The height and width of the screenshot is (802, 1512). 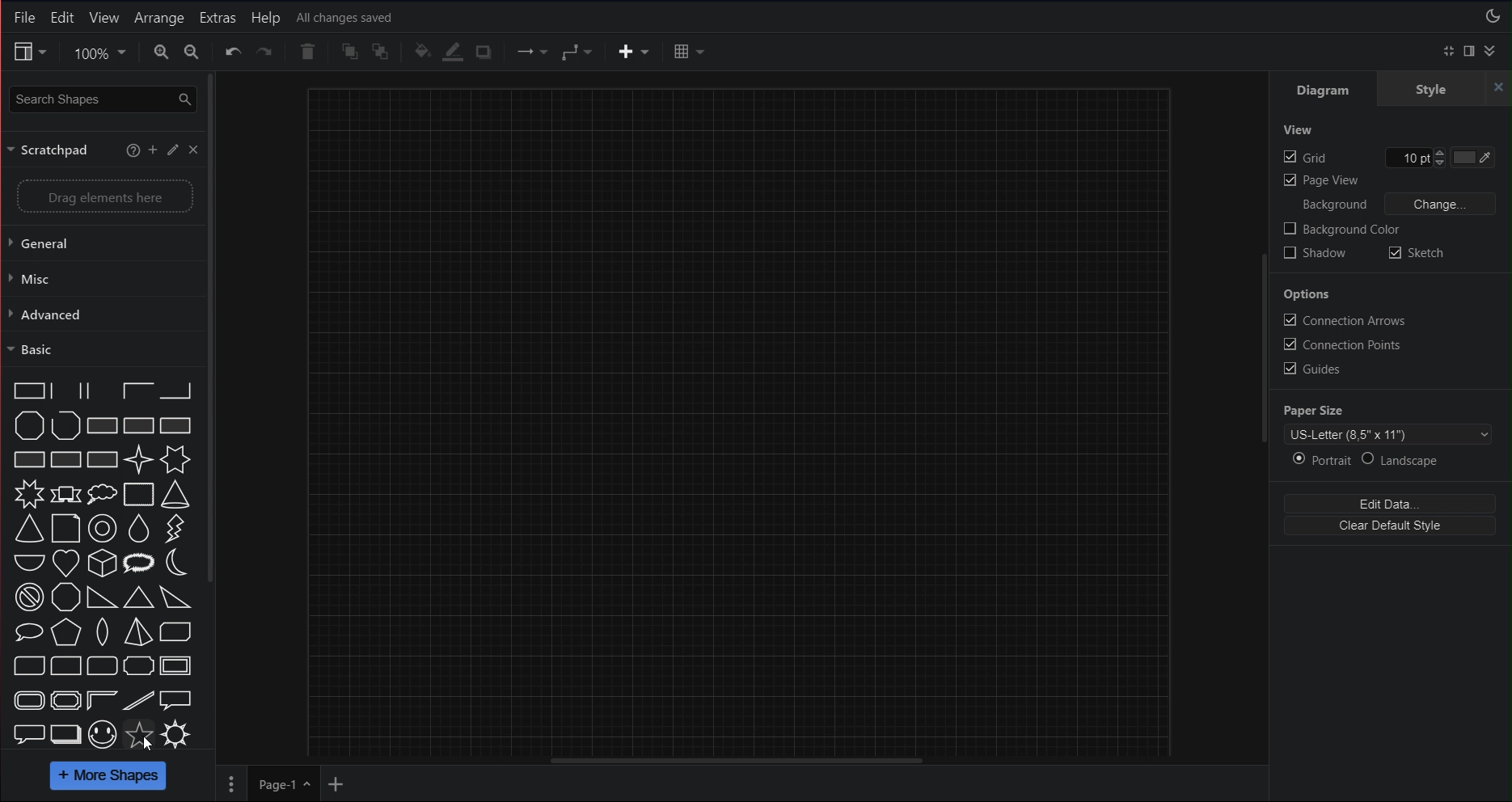 What do you see at coordinates (138, 665) in the screenshot?
I see `plaque` at bounding box center [138, 665].